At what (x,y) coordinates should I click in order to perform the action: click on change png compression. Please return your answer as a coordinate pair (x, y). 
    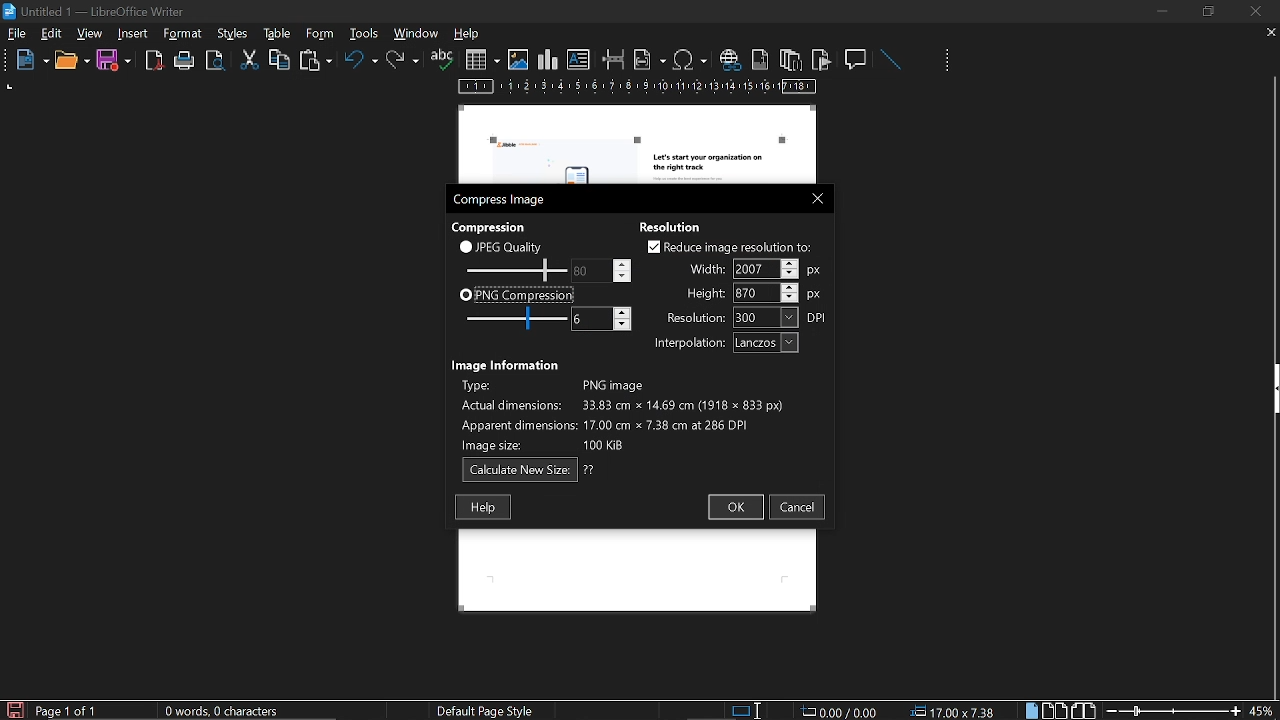
    Looking at the image, I should click on (601, 319).